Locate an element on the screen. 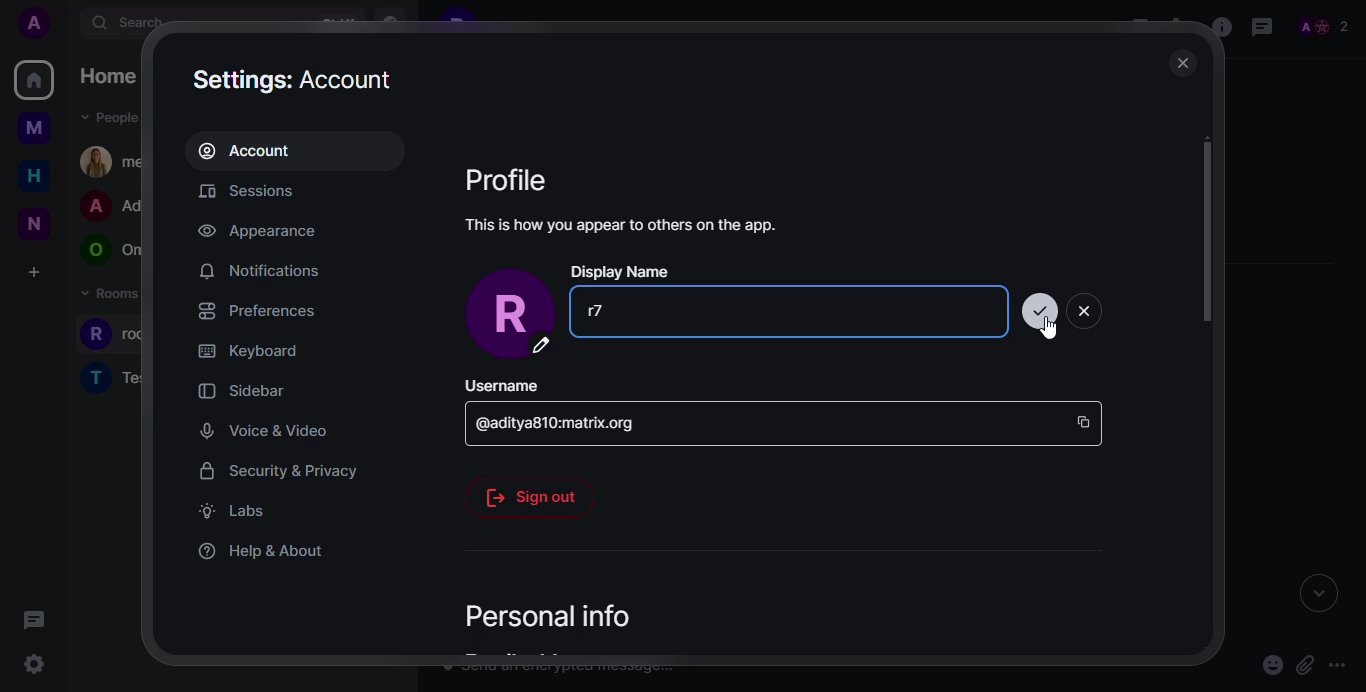 The image size is (1366, 692). quick settings is located at coordinates (34, 665).